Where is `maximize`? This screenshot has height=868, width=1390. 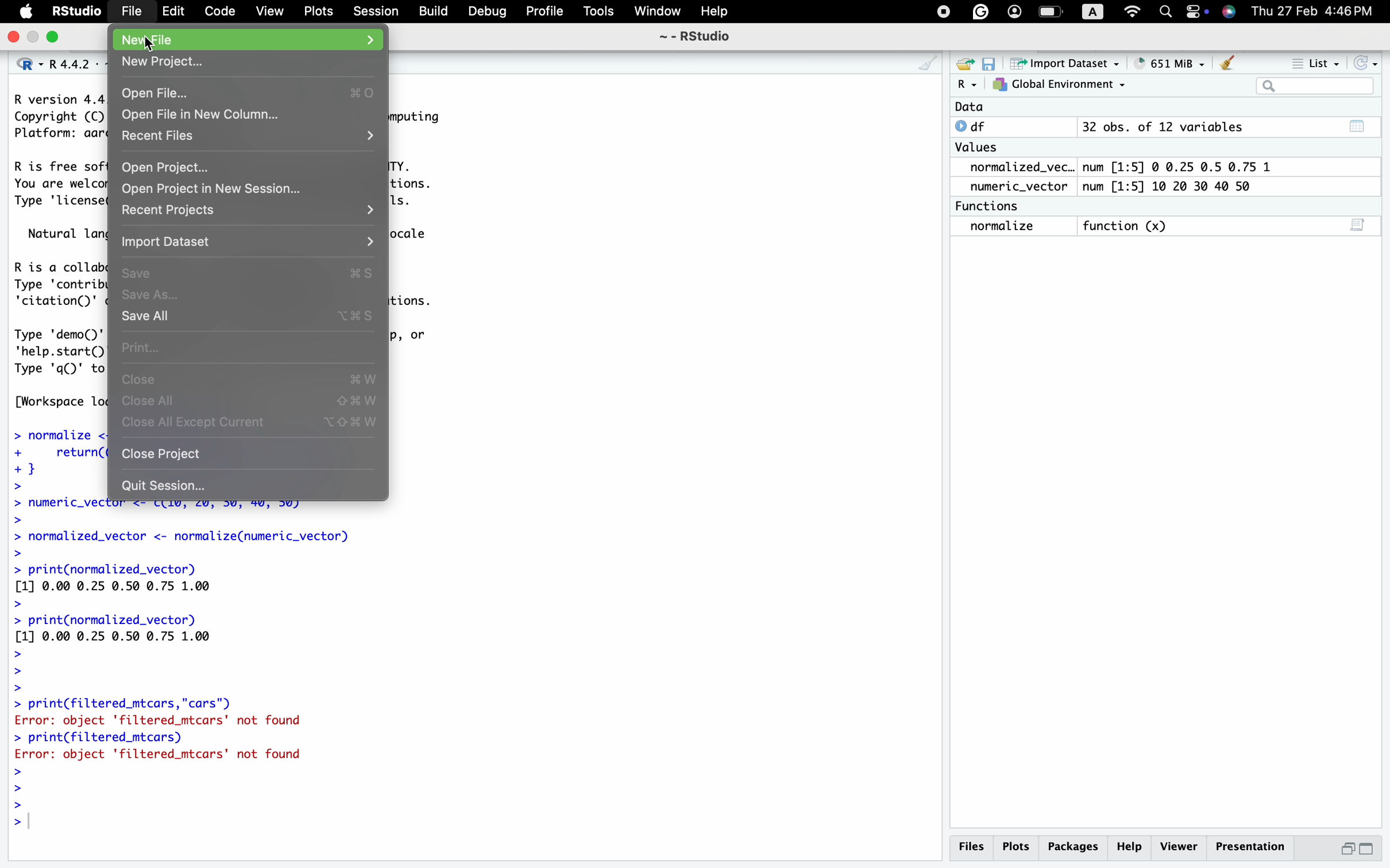
maximize is located at coordinates (56, 37).